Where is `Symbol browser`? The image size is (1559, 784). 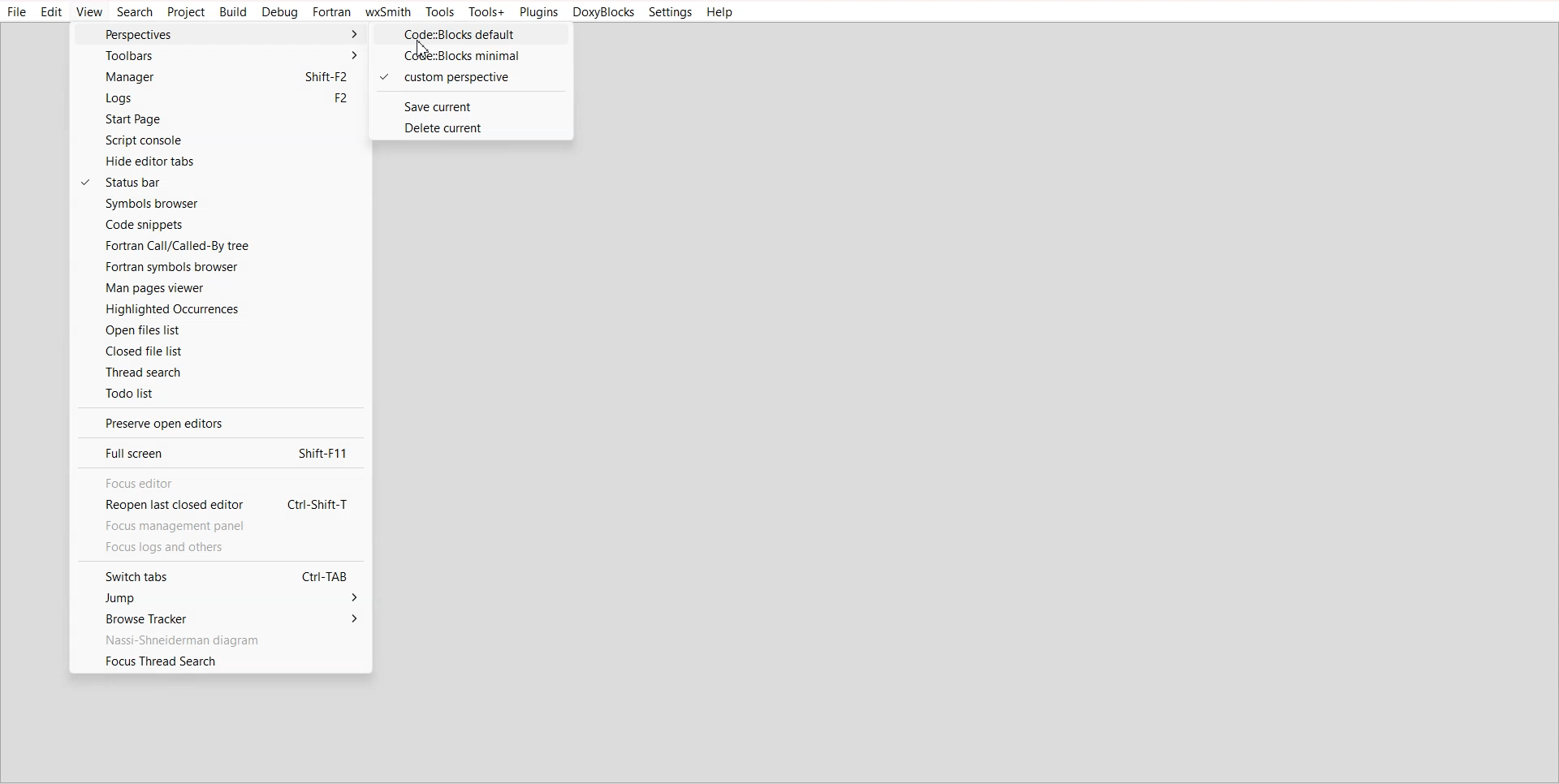 Symbol browser is located at coordinates (218, 204).